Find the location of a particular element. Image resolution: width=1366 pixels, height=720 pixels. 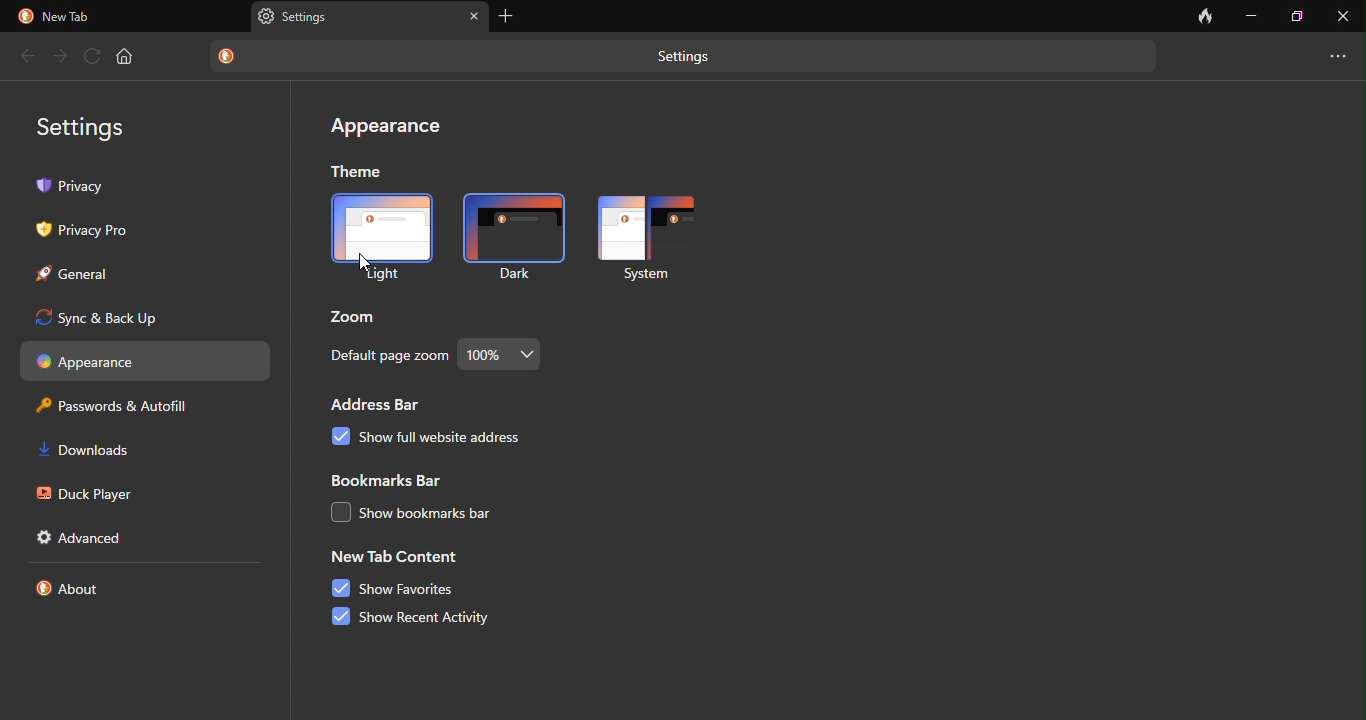

about is located at coordinates (76, 592).